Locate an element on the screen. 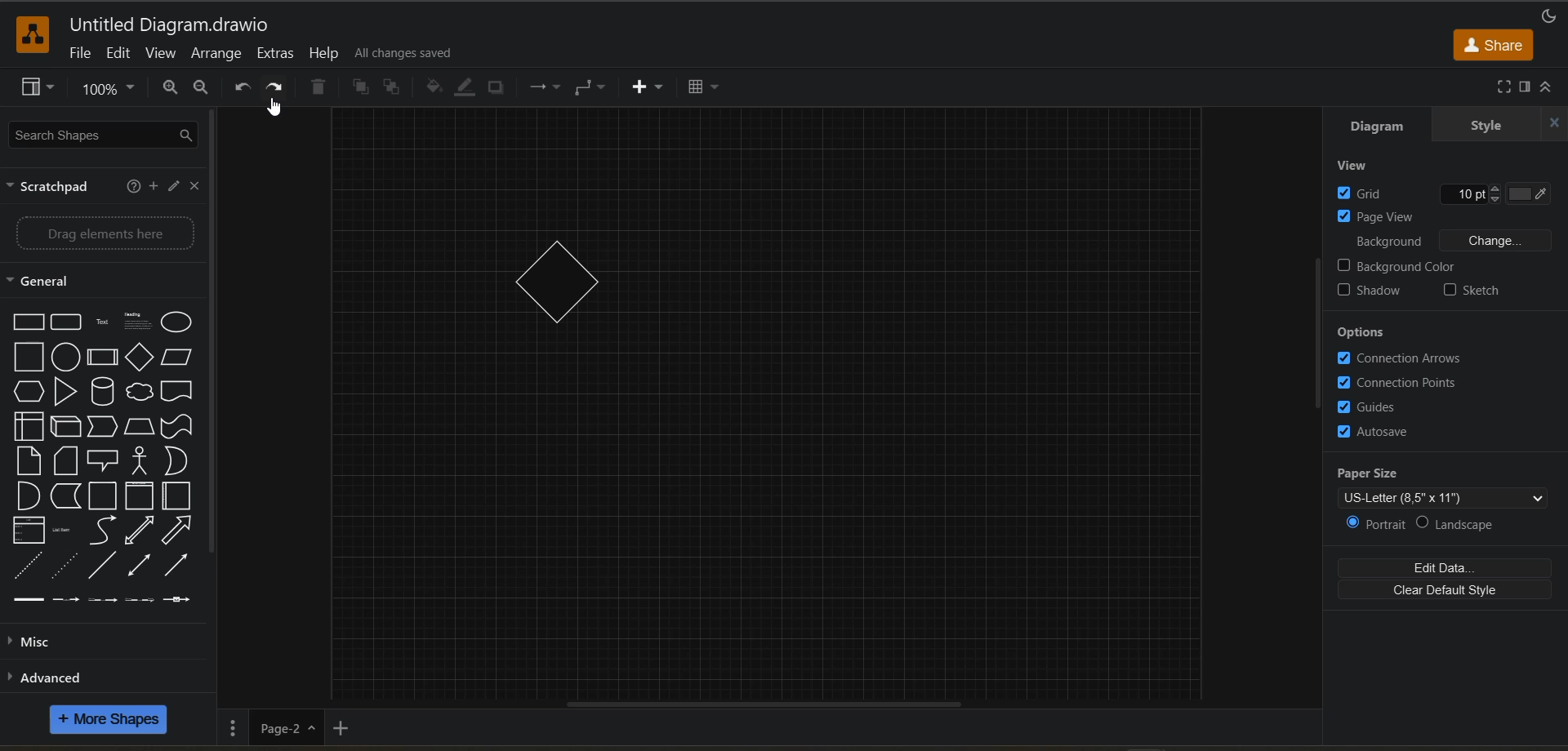 This screenshot has height=751, width=1568. data storage is located at coordinates (65, 495).